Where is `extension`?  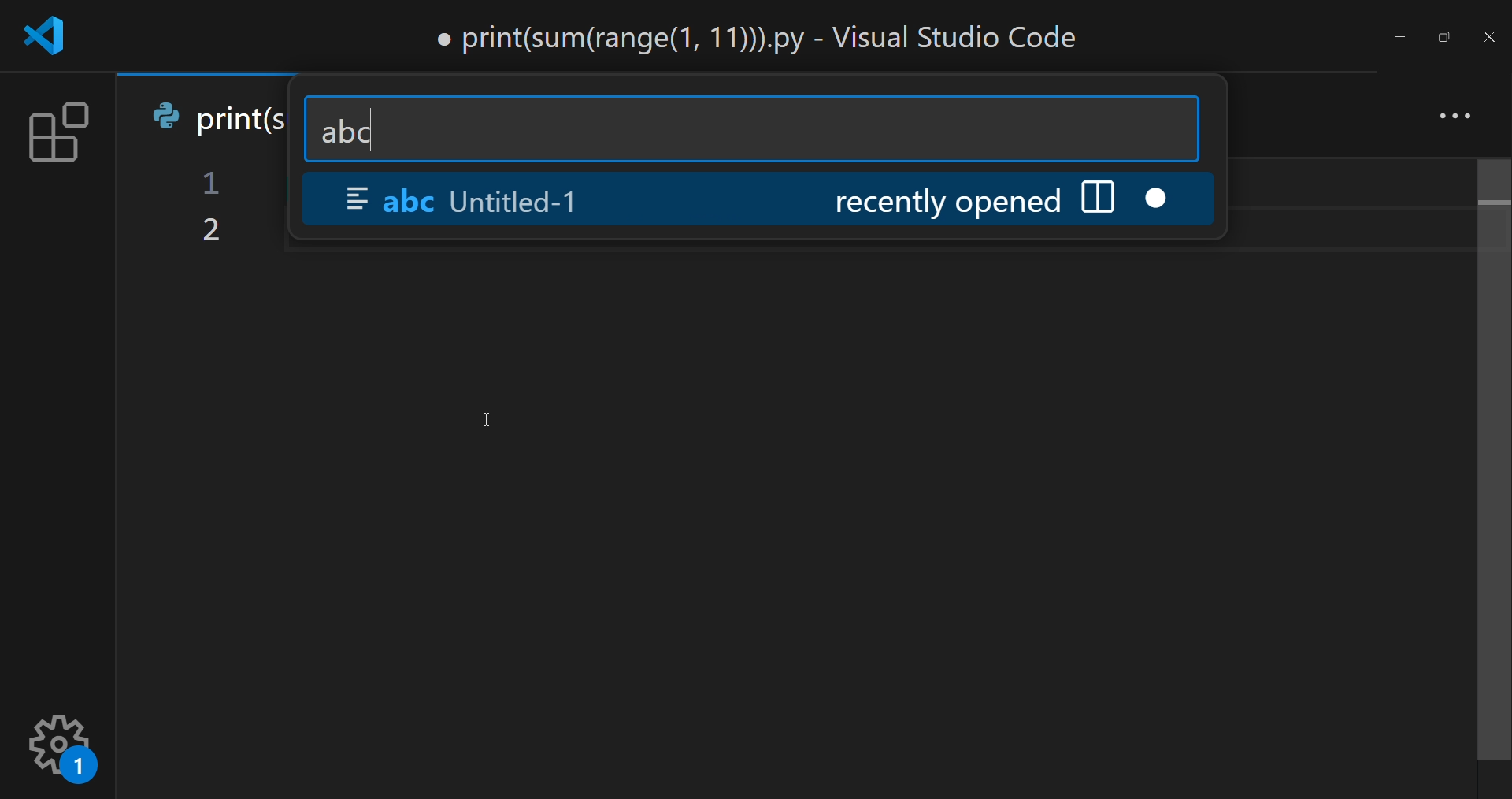 extension is located at coordinates (59, 130).